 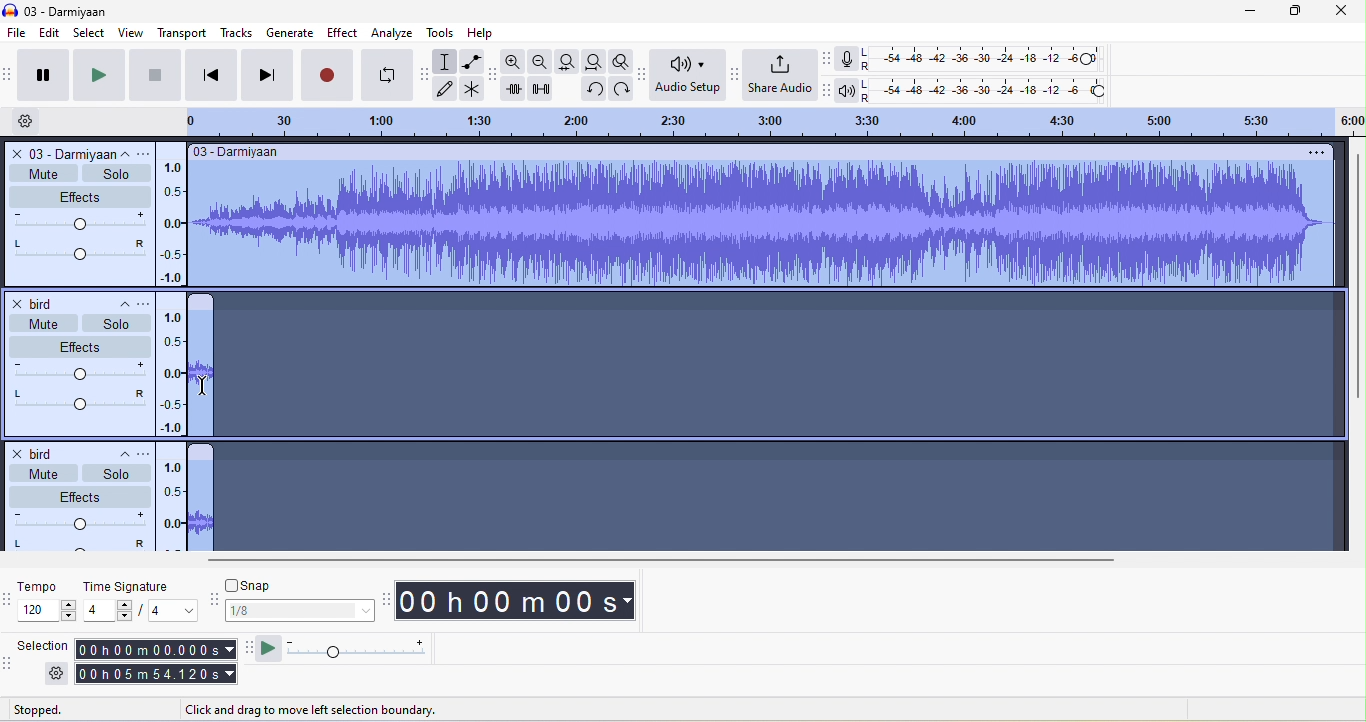 I want to click on record audio, so click(x=767, y=225).